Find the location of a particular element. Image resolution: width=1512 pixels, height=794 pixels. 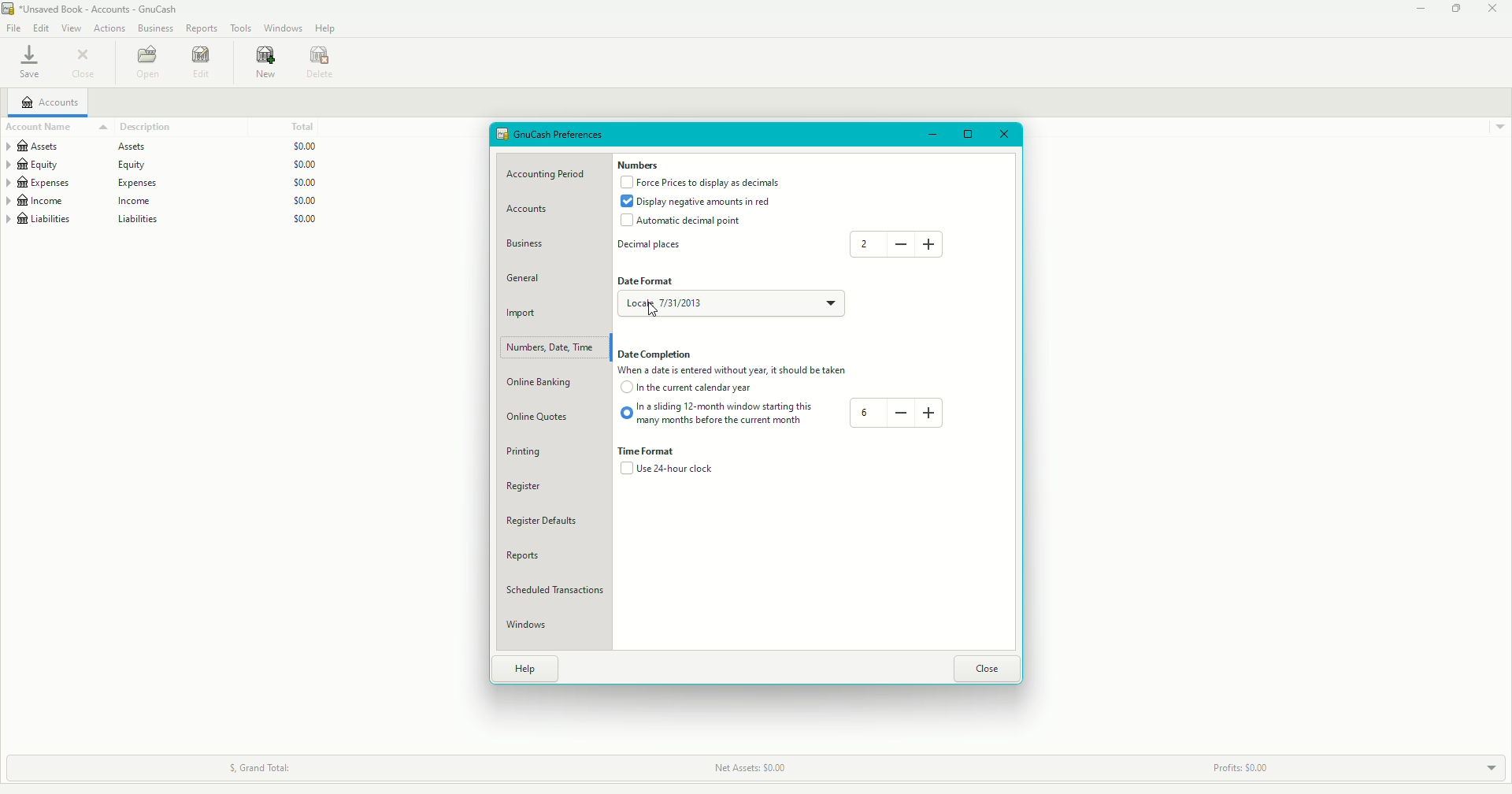

Online Quotes is located at coordinates (547, 416).